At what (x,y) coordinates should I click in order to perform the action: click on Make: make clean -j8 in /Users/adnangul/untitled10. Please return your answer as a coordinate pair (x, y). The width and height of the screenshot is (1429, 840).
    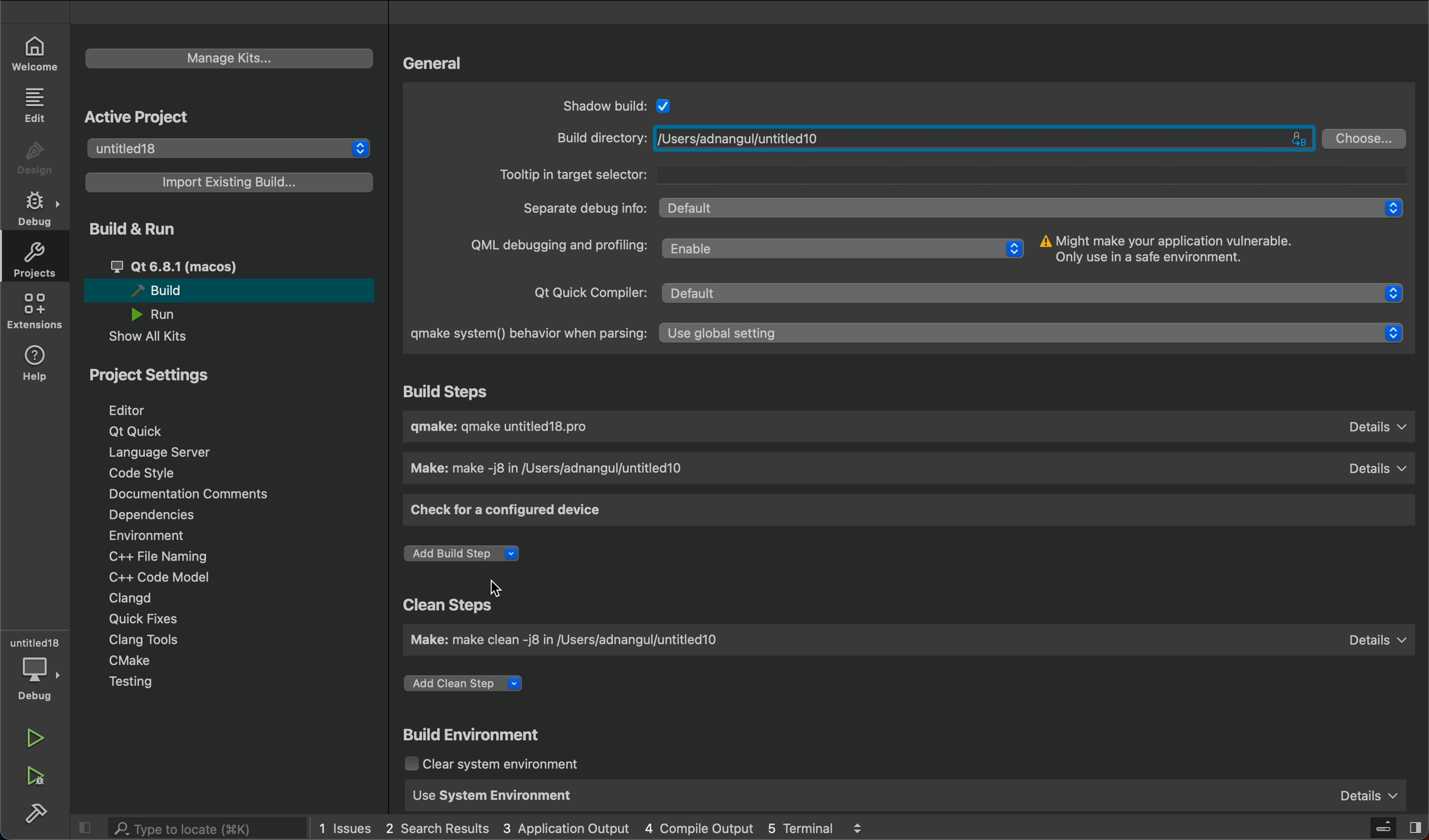
    Looking at the image, I should click on (570, 639).